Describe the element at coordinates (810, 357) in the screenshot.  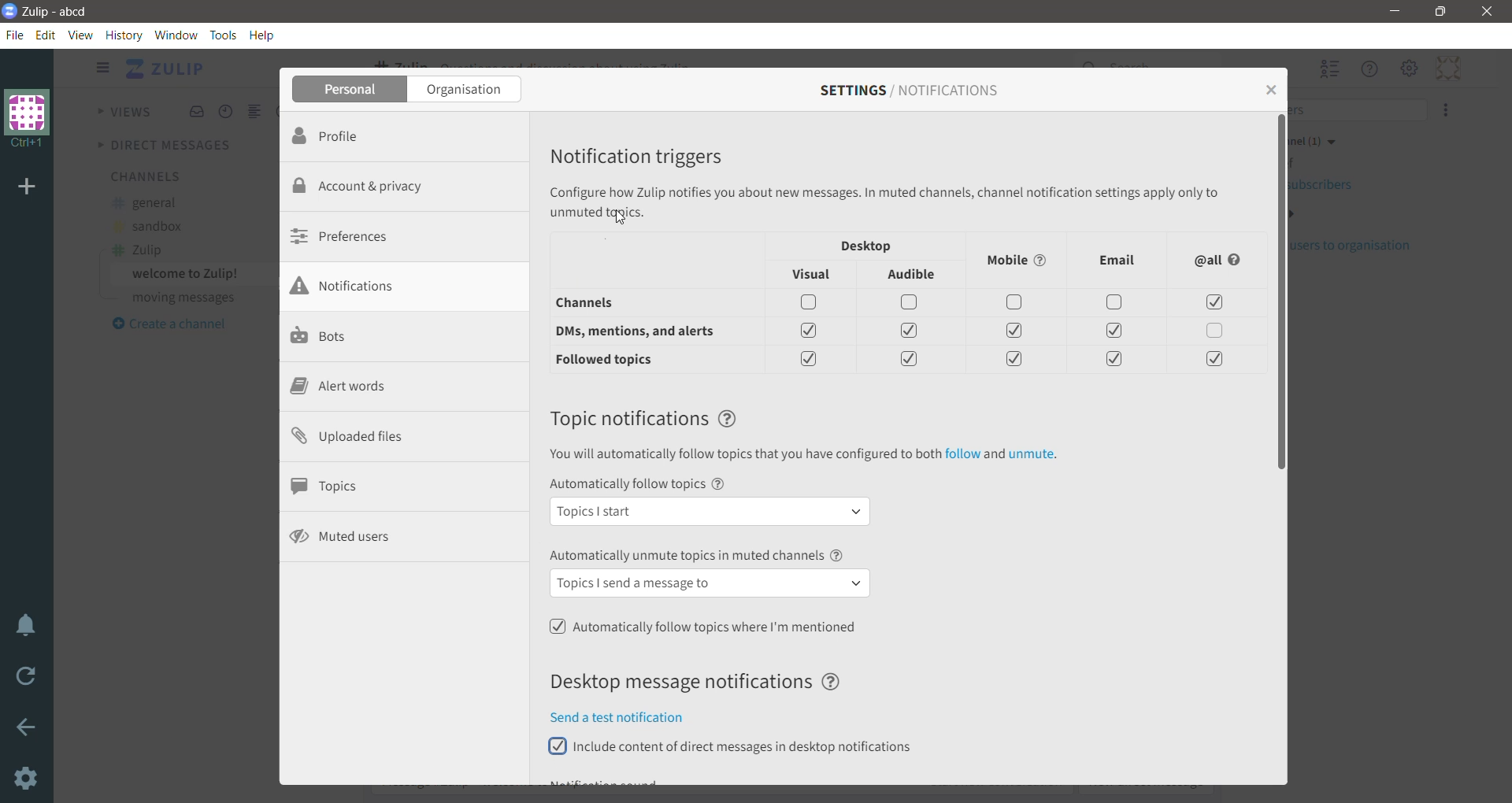
I see `check box` at that location.